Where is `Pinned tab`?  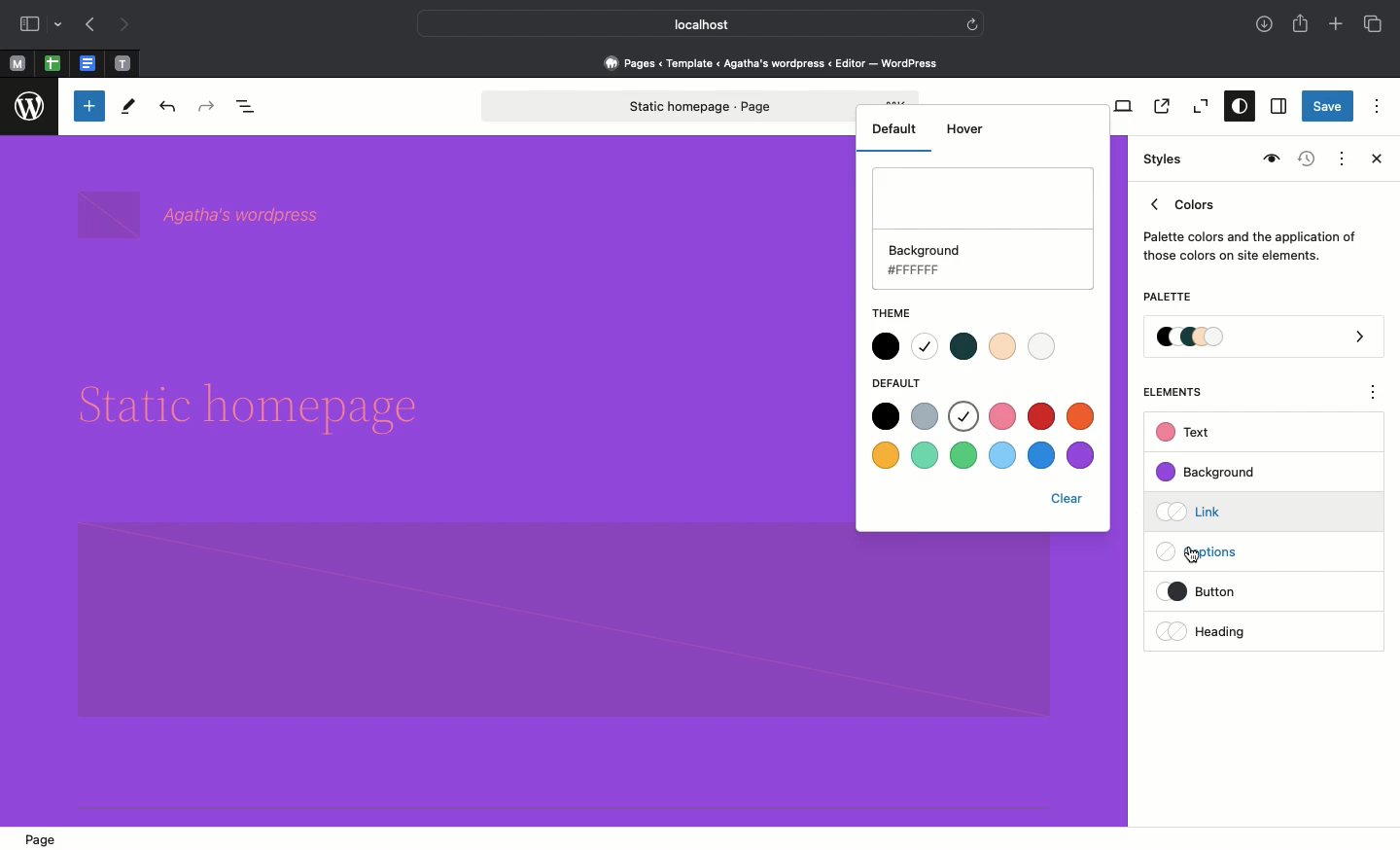 Pinned tab is located at coordinates (17, 64).